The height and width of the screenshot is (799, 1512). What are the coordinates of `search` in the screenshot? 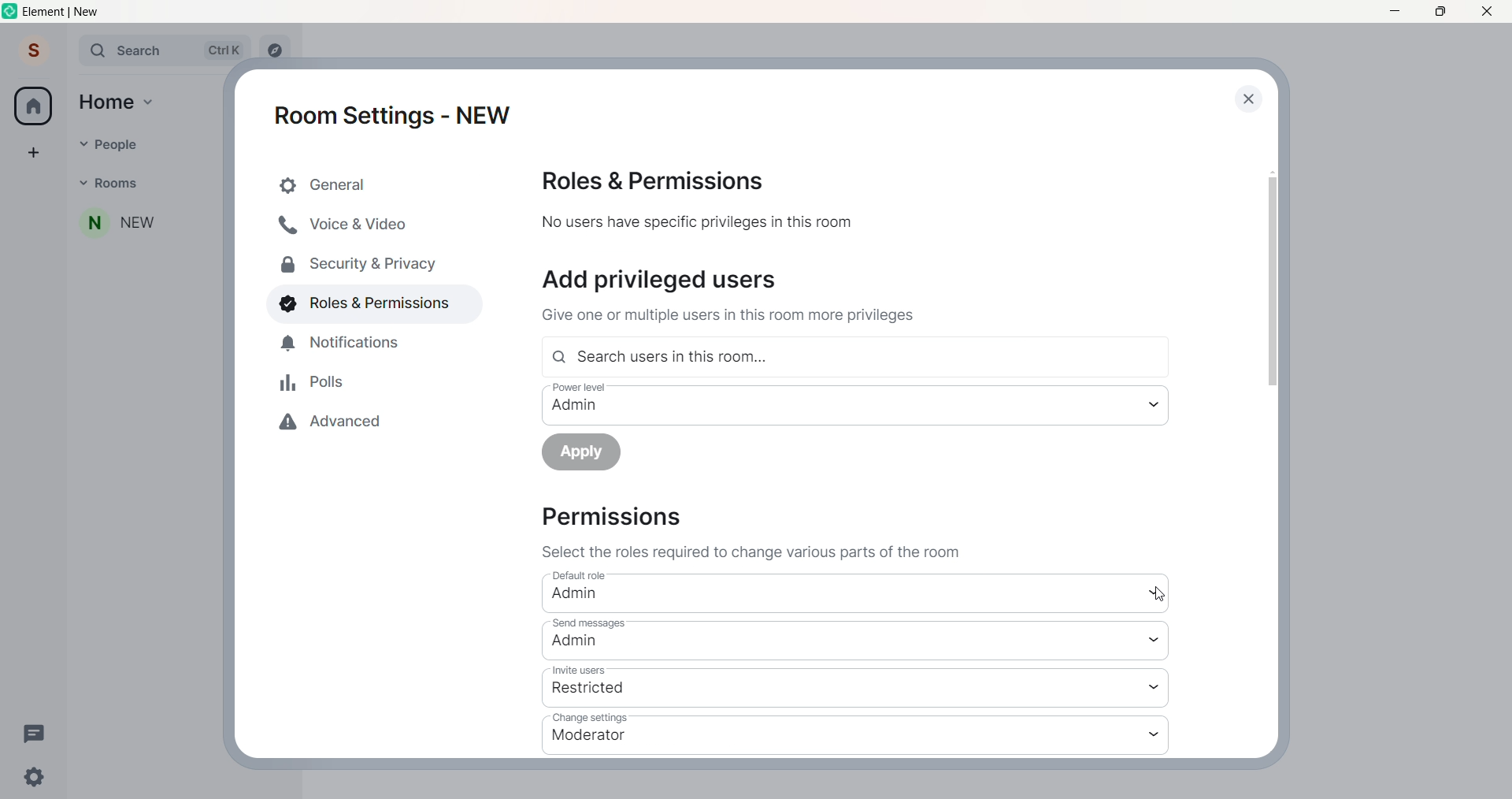 It's located at (156, 49).